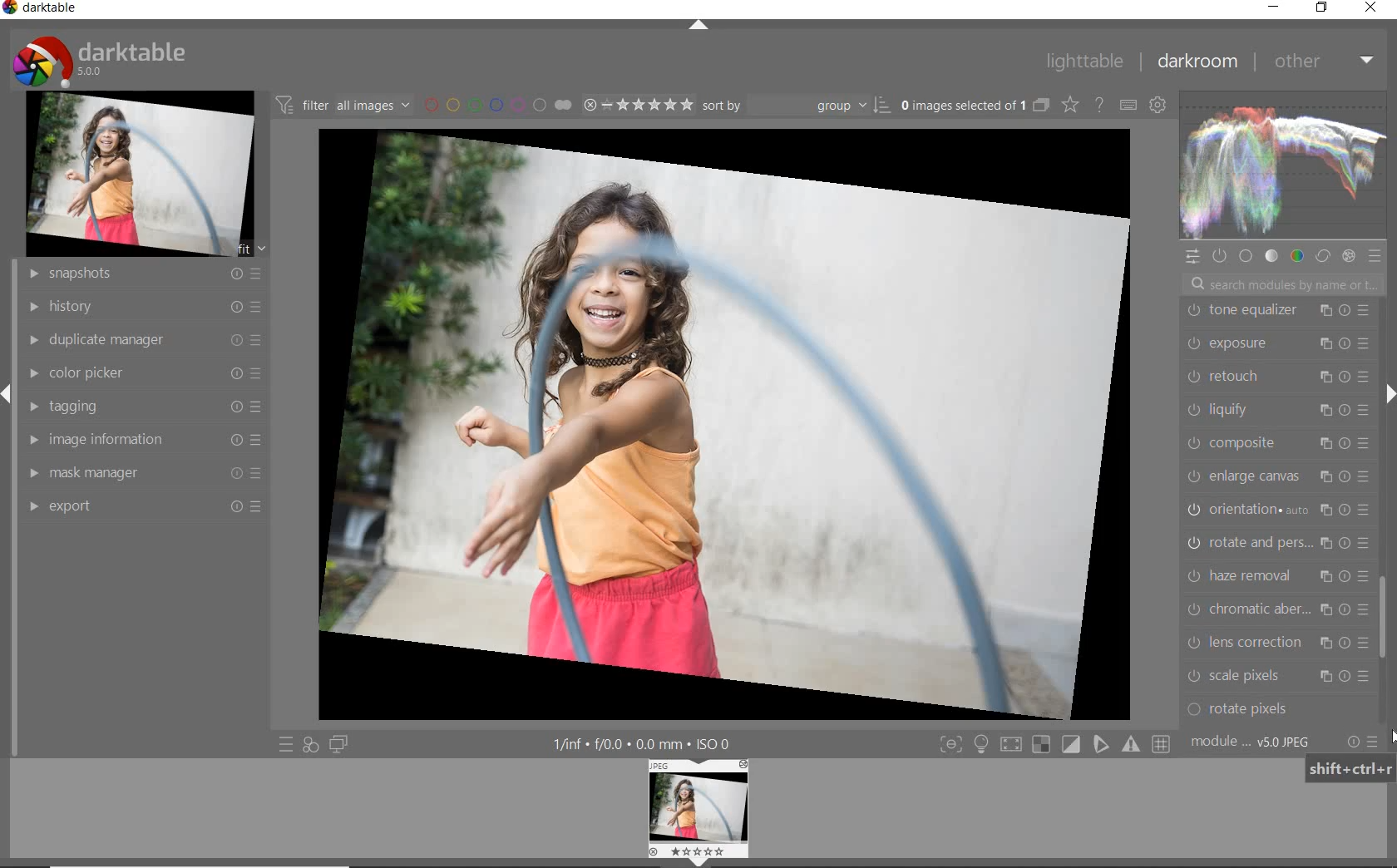 The width and height of the screenshot is (1397, 868). What do you see at coordinates (1388, 324) in the screenshot?
I see `CURSOR` at bounding box center [1388, 324].